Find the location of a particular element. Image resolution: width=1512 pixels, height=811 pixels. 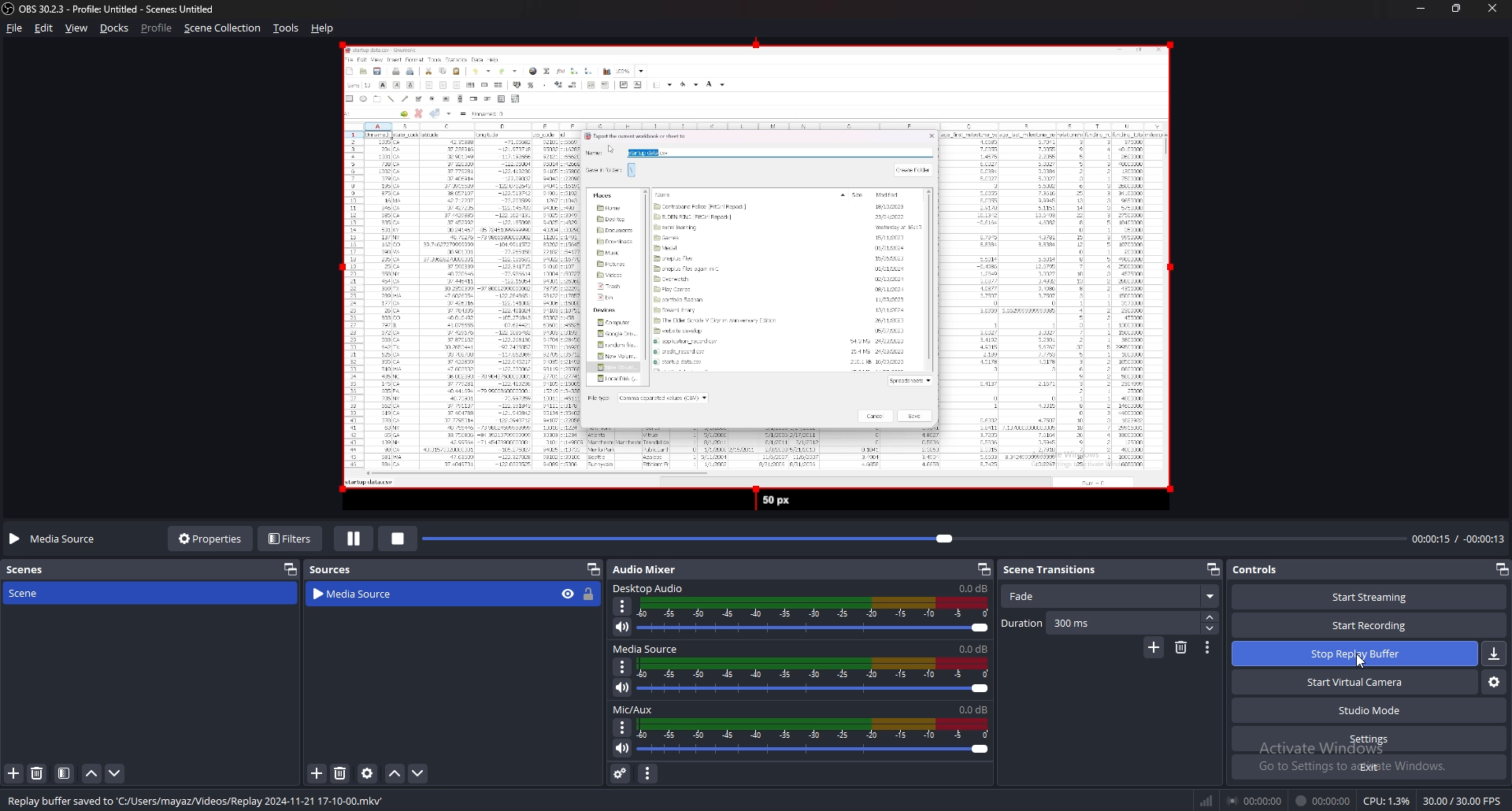

cursor is located at coordinates (1360, 661).